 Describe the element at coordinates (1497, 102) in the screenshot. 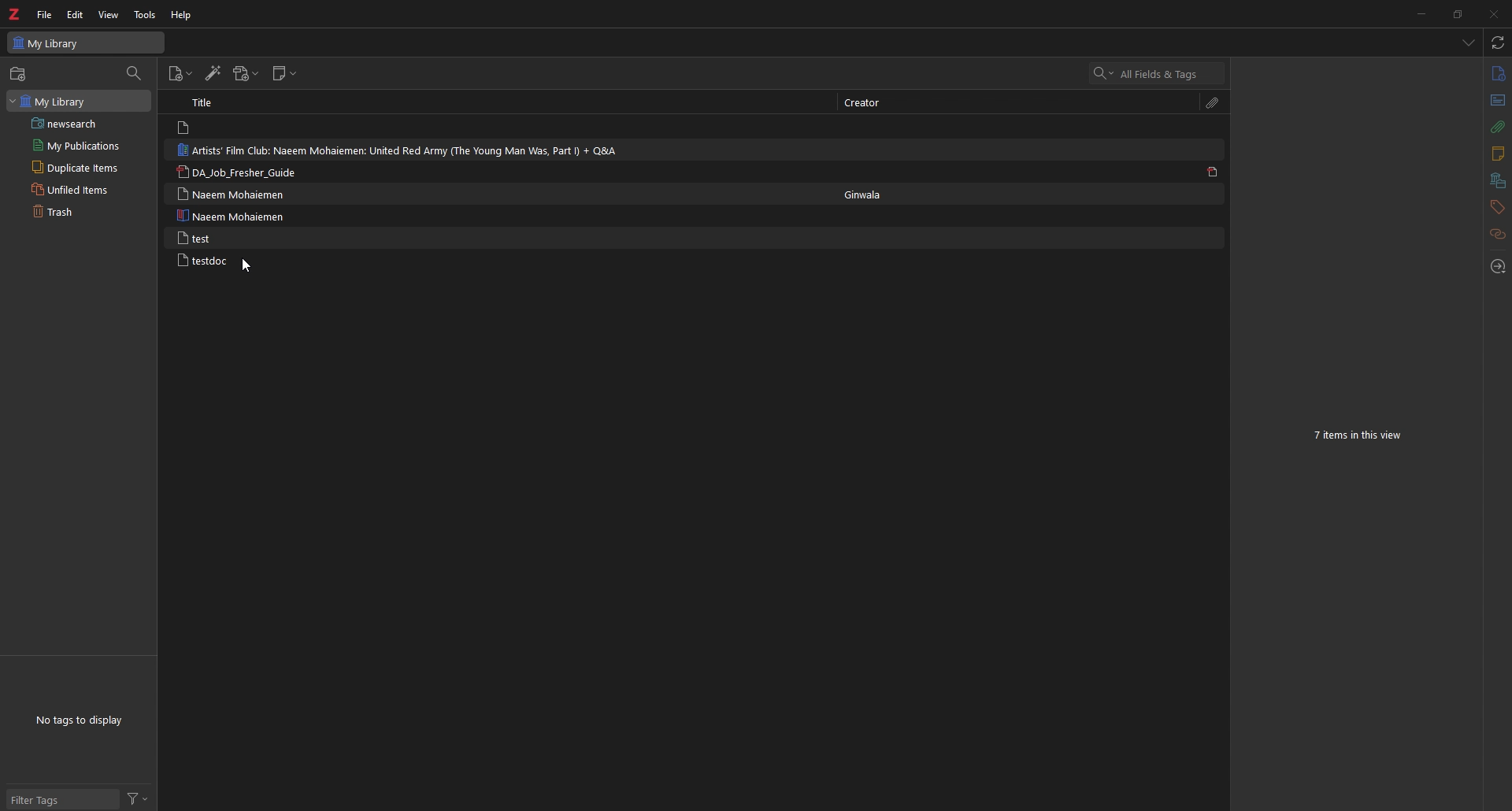

I see `abstract` at that location.